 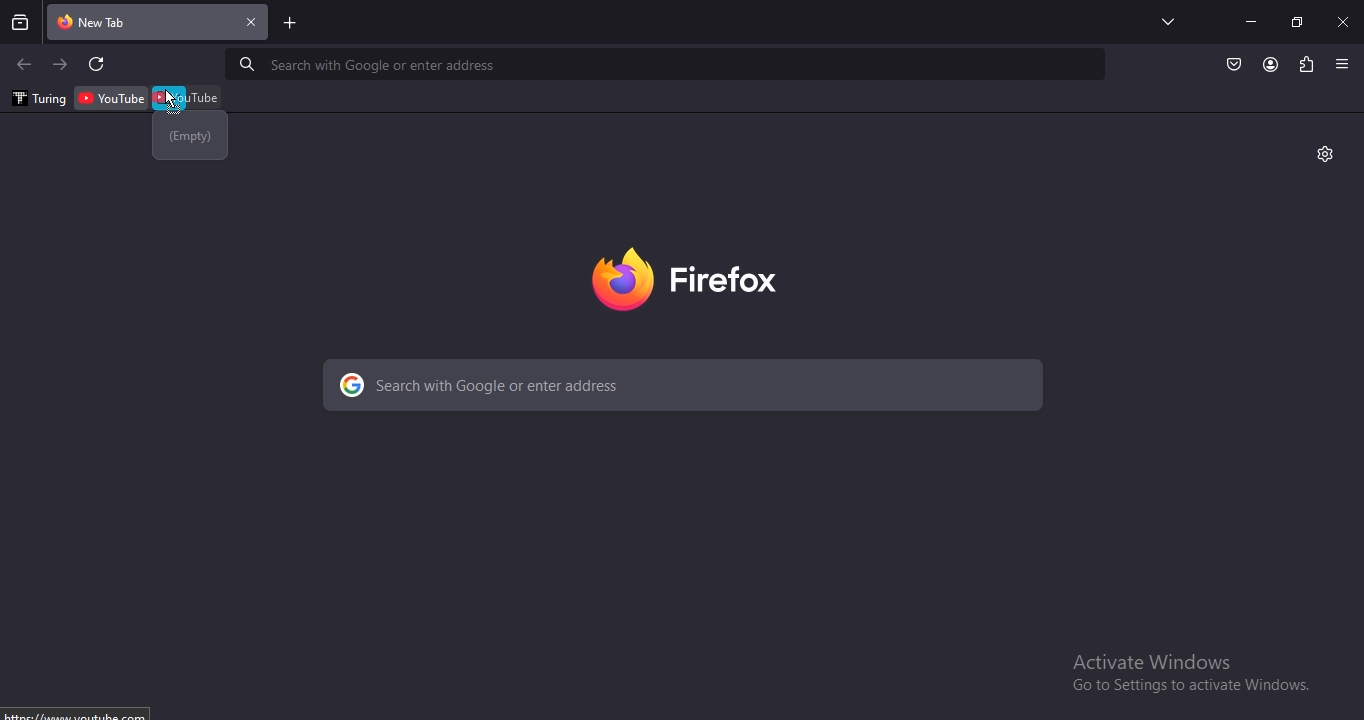 What do you see at coordinates (365, 66) in the screenshot?
I see `Search with Google or enter address` at bounding box center [365, 66].